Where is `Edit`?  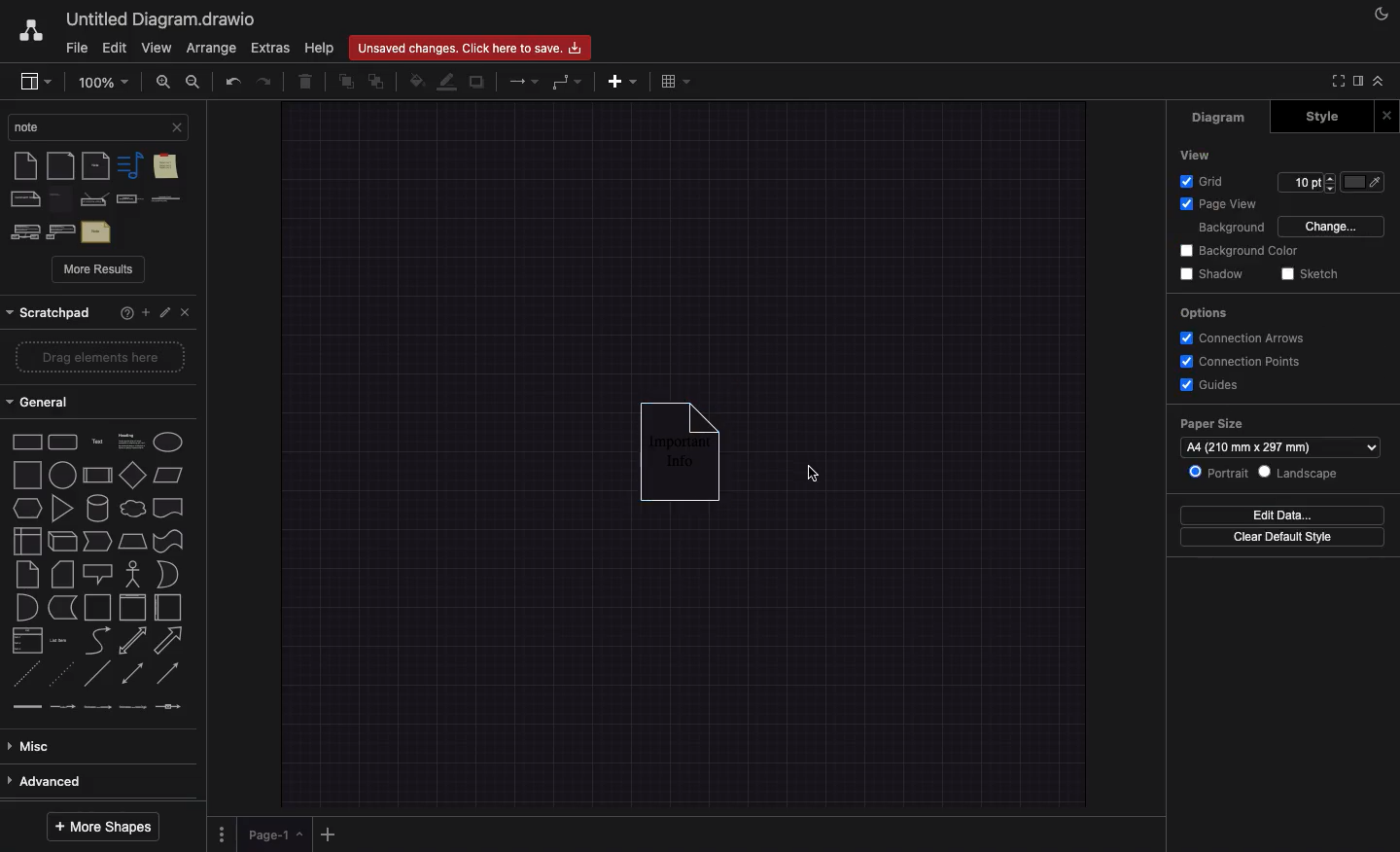
Edit is located at coordinates (170, 314).